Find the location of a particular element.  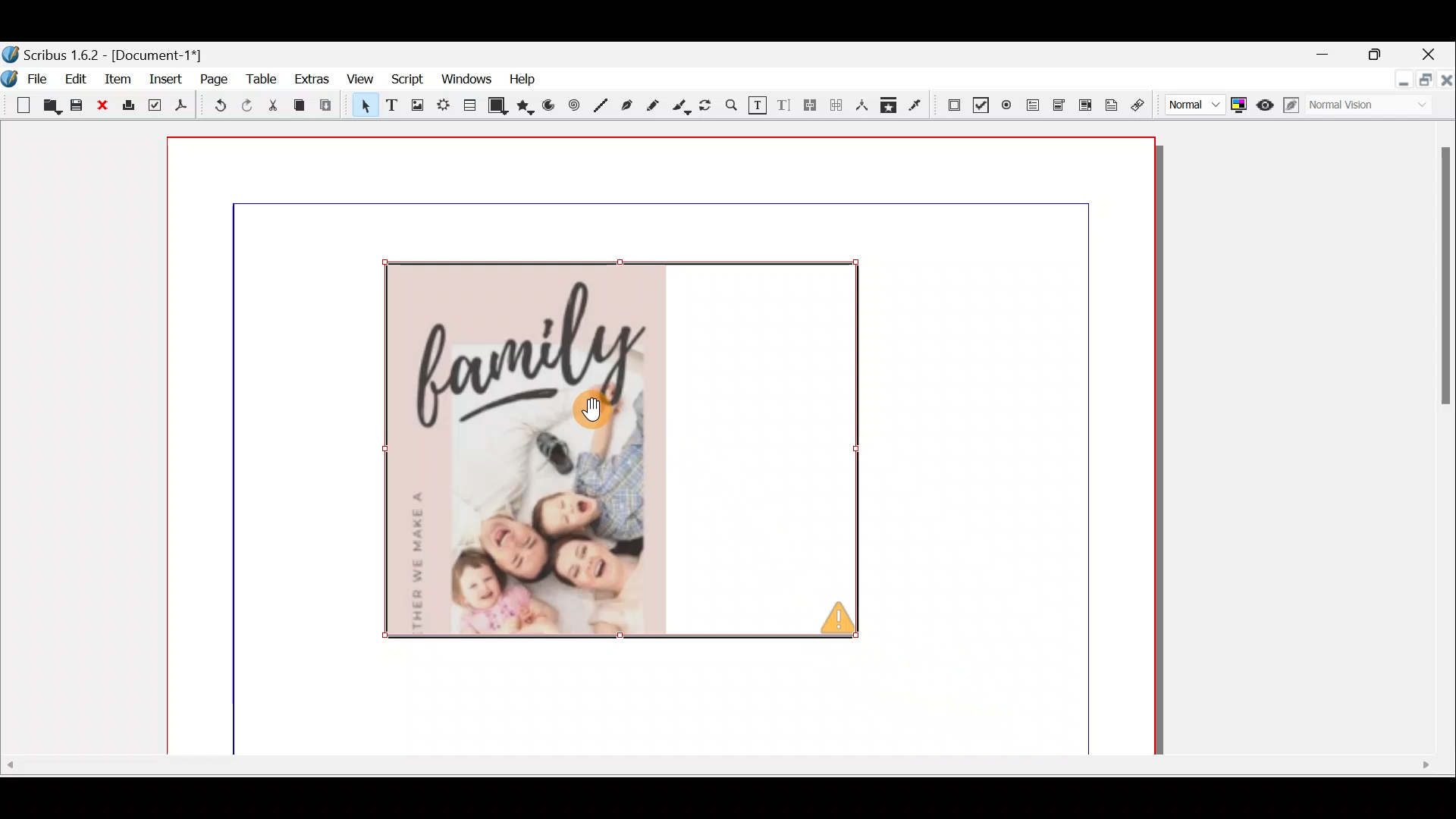

Canvas is located at coordinates (667, 595).